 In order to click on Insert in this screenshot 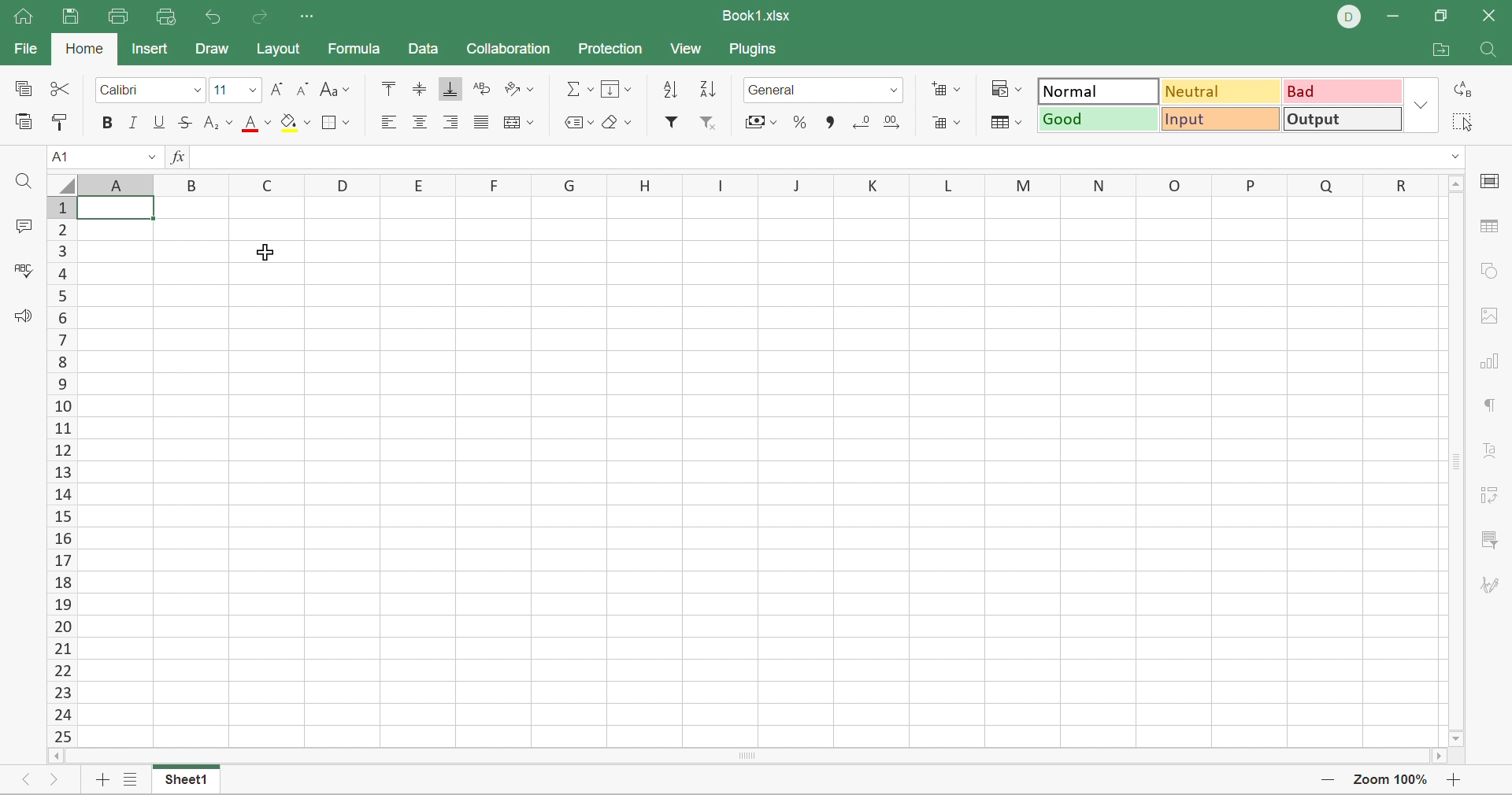, I will do `click(154, 51)`.